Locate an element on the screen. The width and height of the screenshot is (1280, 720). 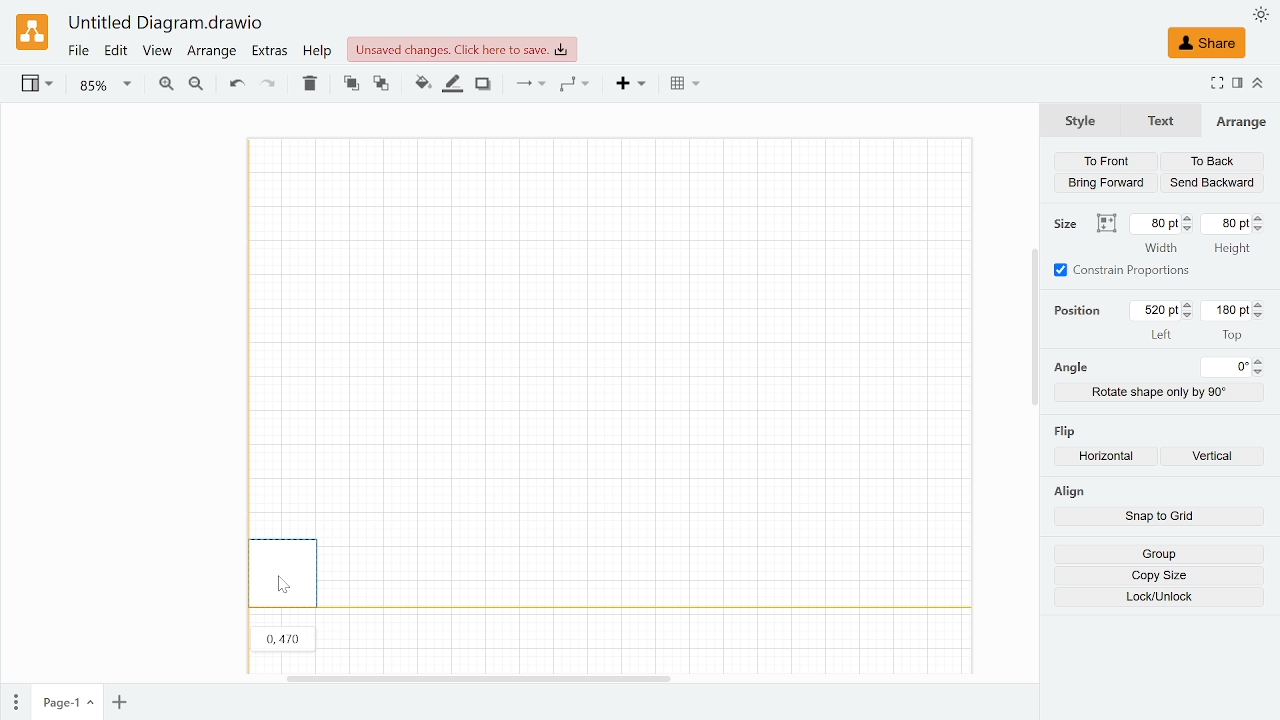
Flip vertically is located at coordinates (1218, 458).